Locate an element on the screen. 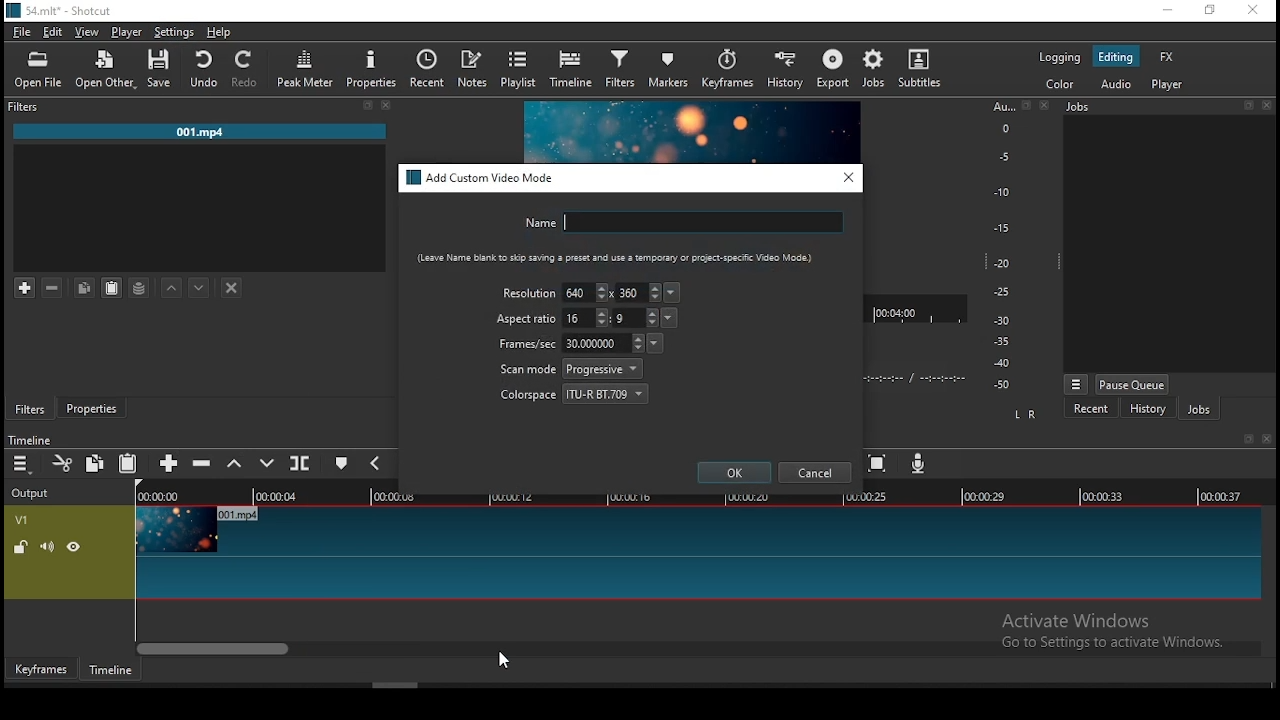  create/edit marker is located at coordinates (341, 466).